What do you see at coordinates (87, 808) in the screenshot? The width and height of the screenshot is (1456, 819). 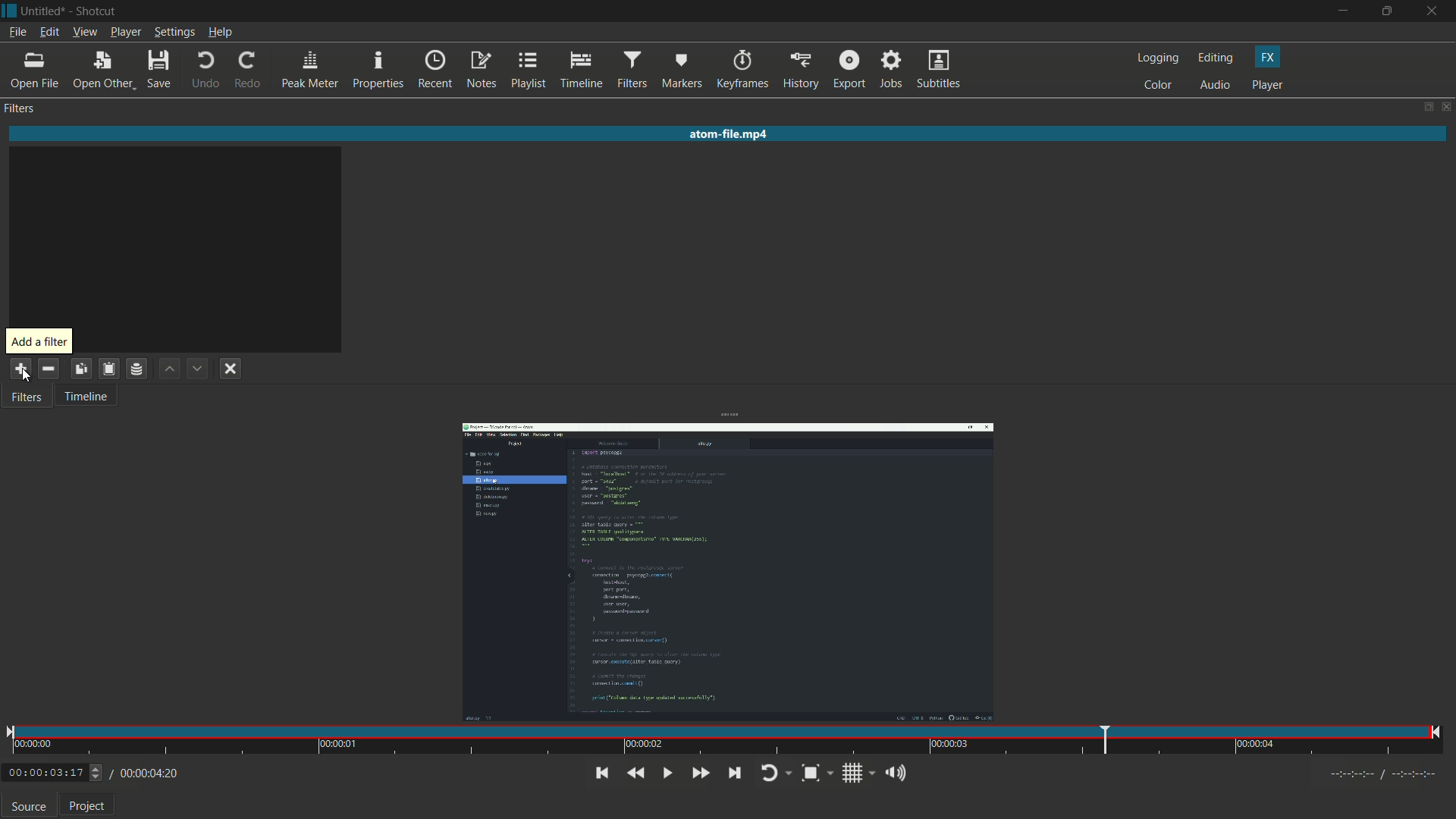 I see `project` at bounding box center [87, 808].